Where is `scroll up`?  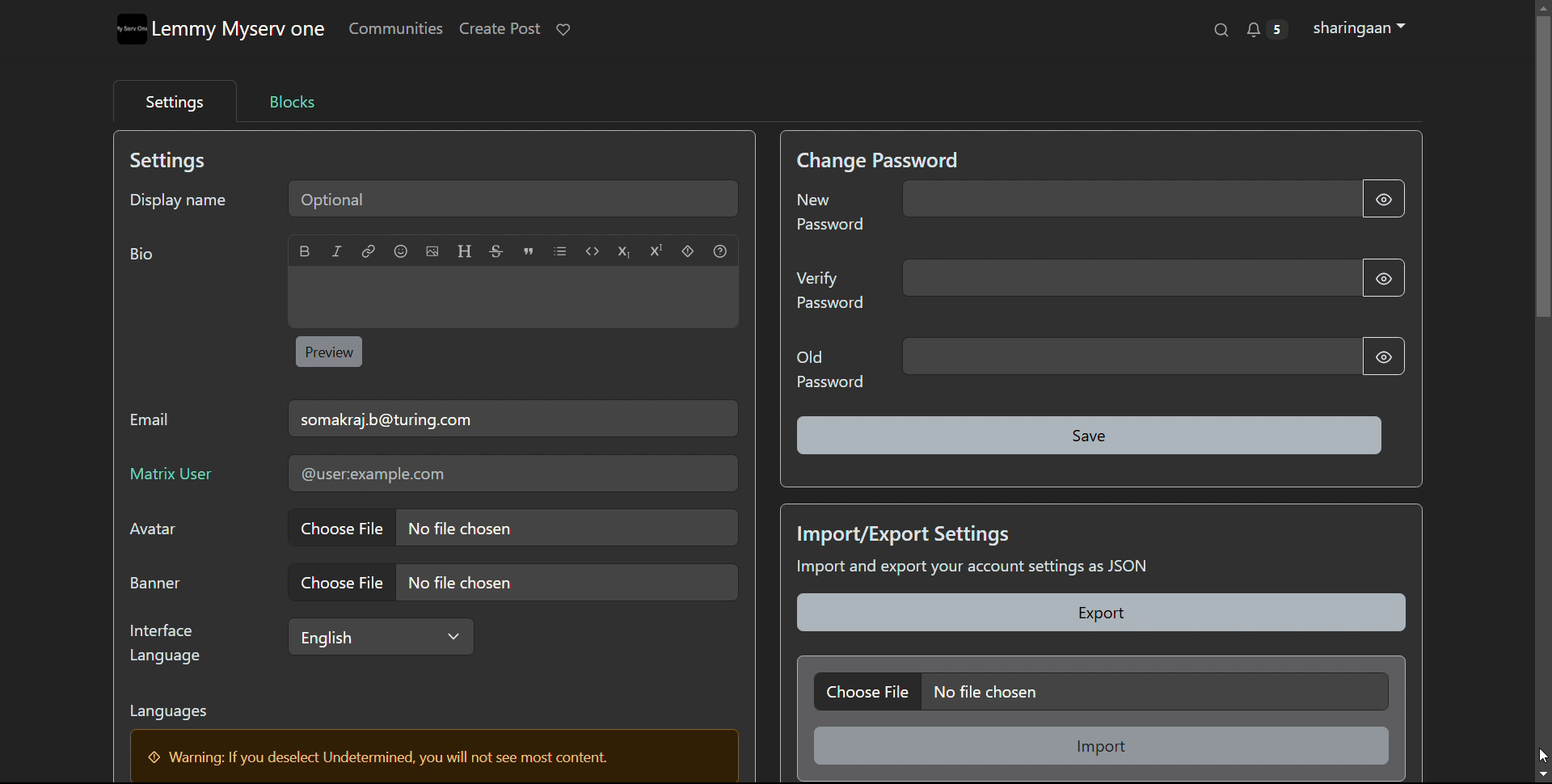 scroll up is located at coordinates (1542, 6).